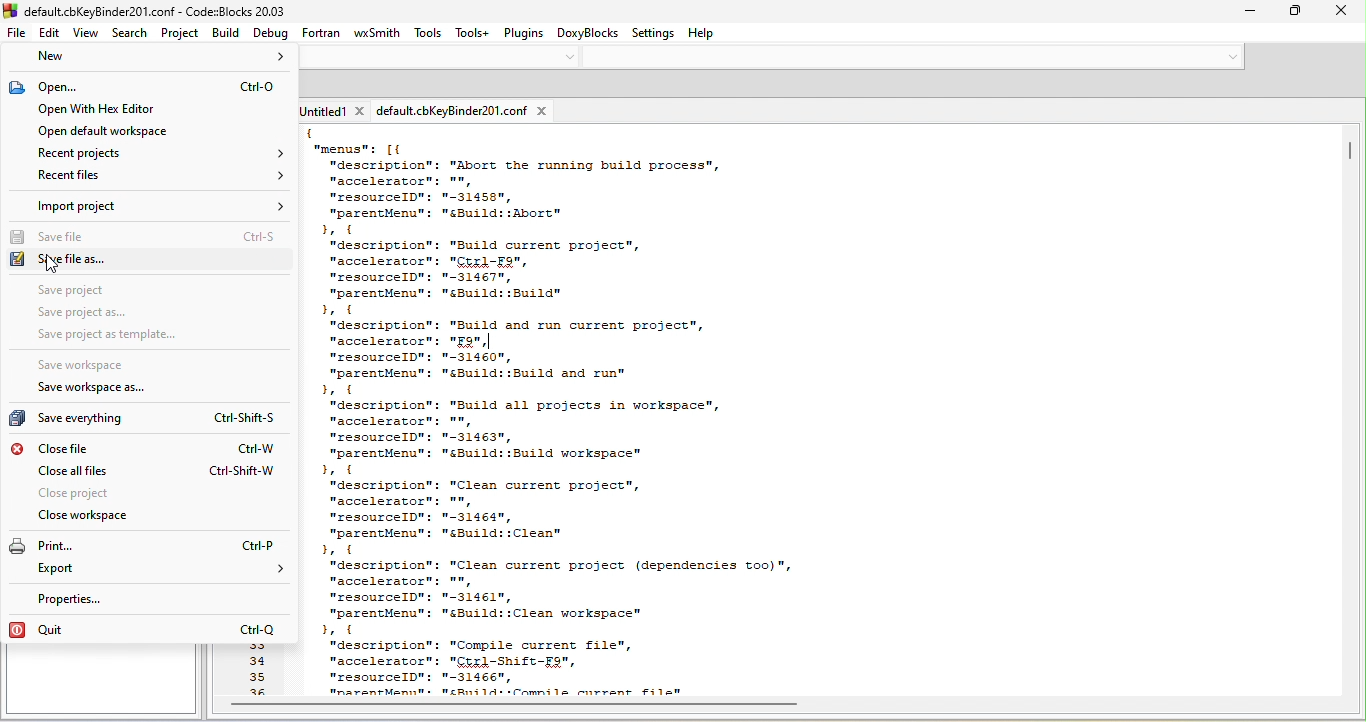  Describe the element at coordinates (134, 108) in the screenshot. I see `open with hex editor` at that location.